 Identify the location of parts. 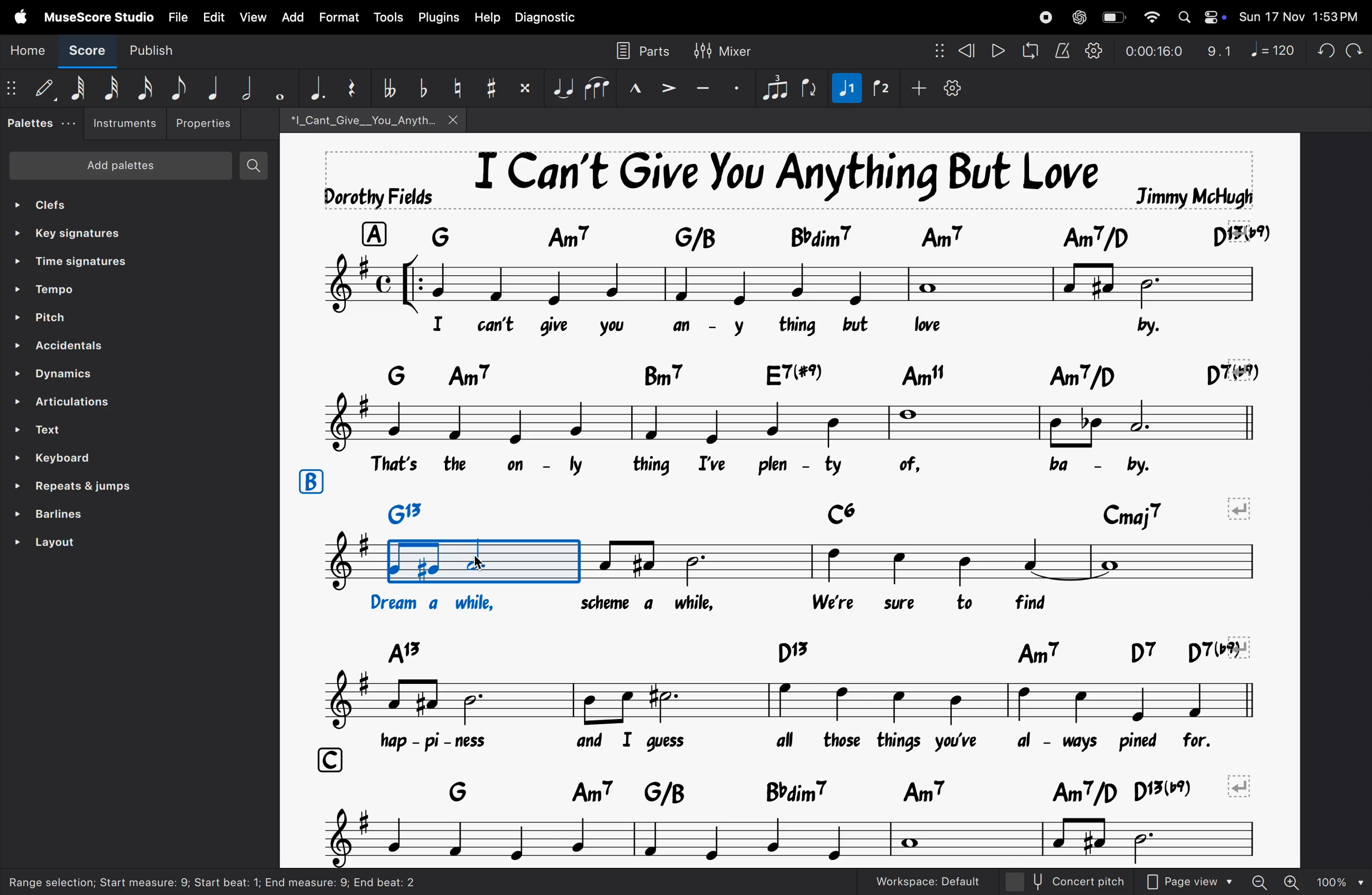
(644, 48).